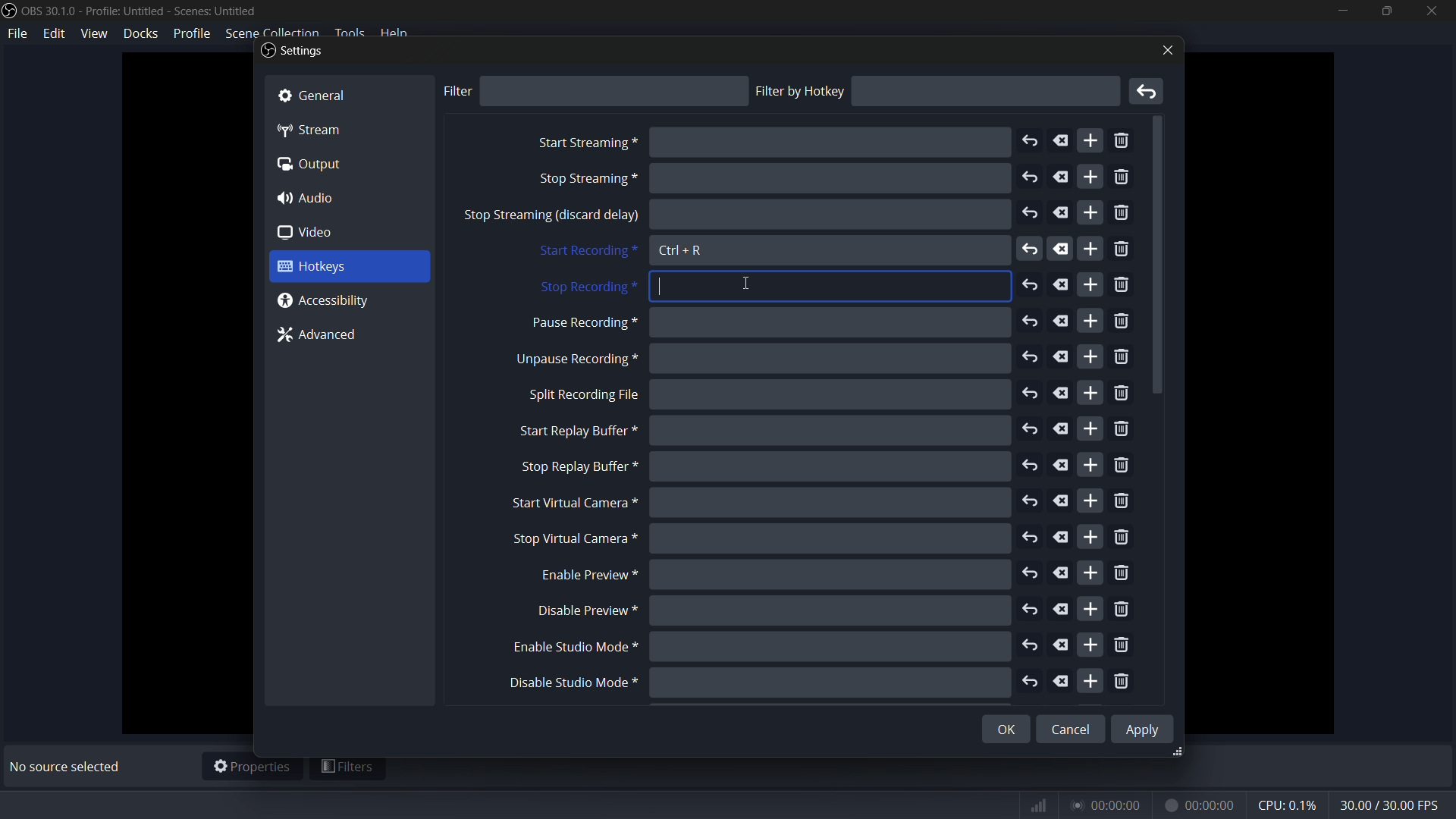 Image resolution: width=1456 pixels, height=819 pixels. Describe the element at coordinates (252, 767) in the screenshot. I see `properties` at that location.